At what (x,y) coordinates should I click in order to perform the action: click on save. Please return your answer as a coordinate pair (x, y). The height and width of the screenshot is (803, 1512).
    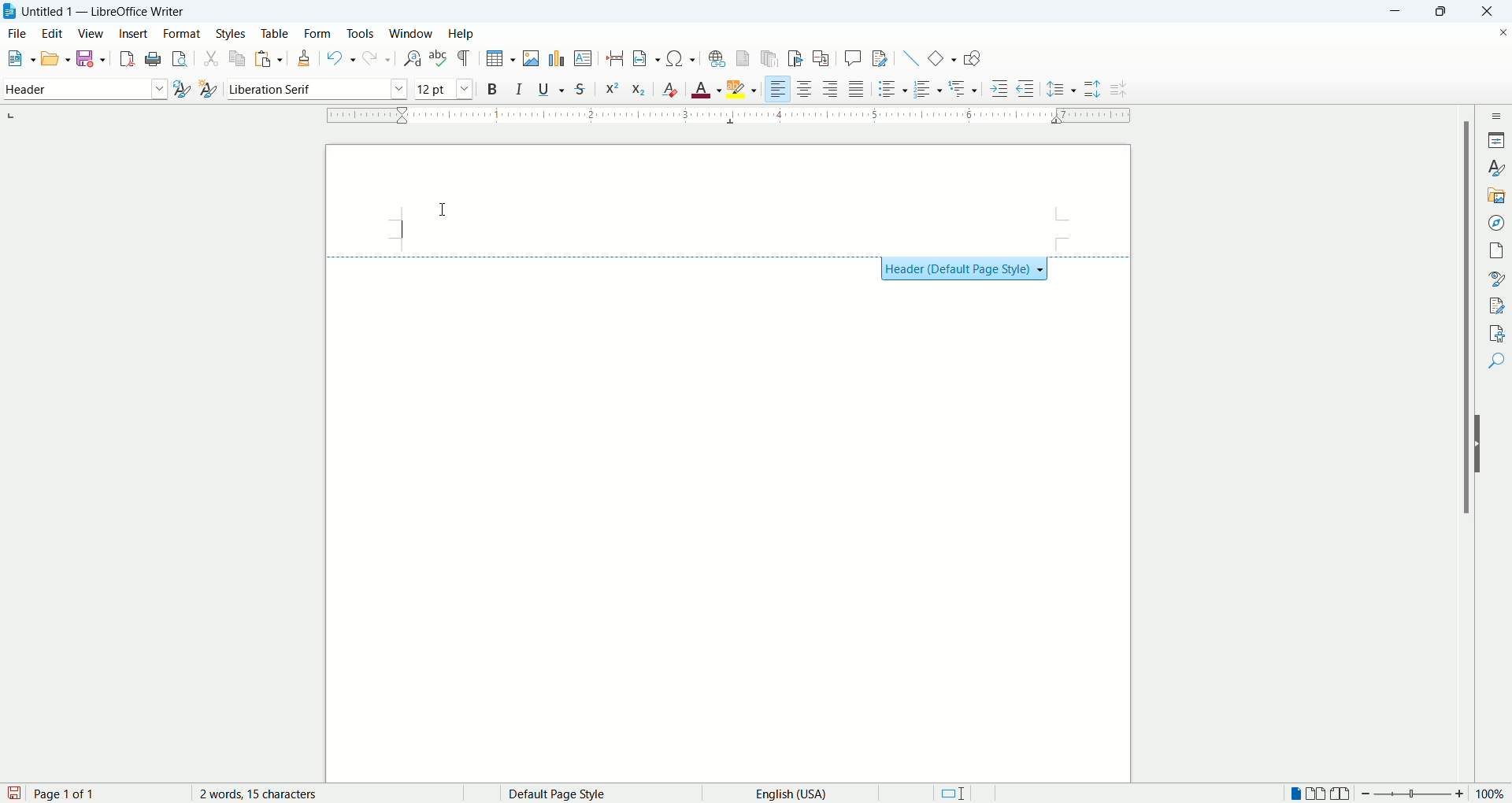
    Looking at the image, I should click on (15, 791).